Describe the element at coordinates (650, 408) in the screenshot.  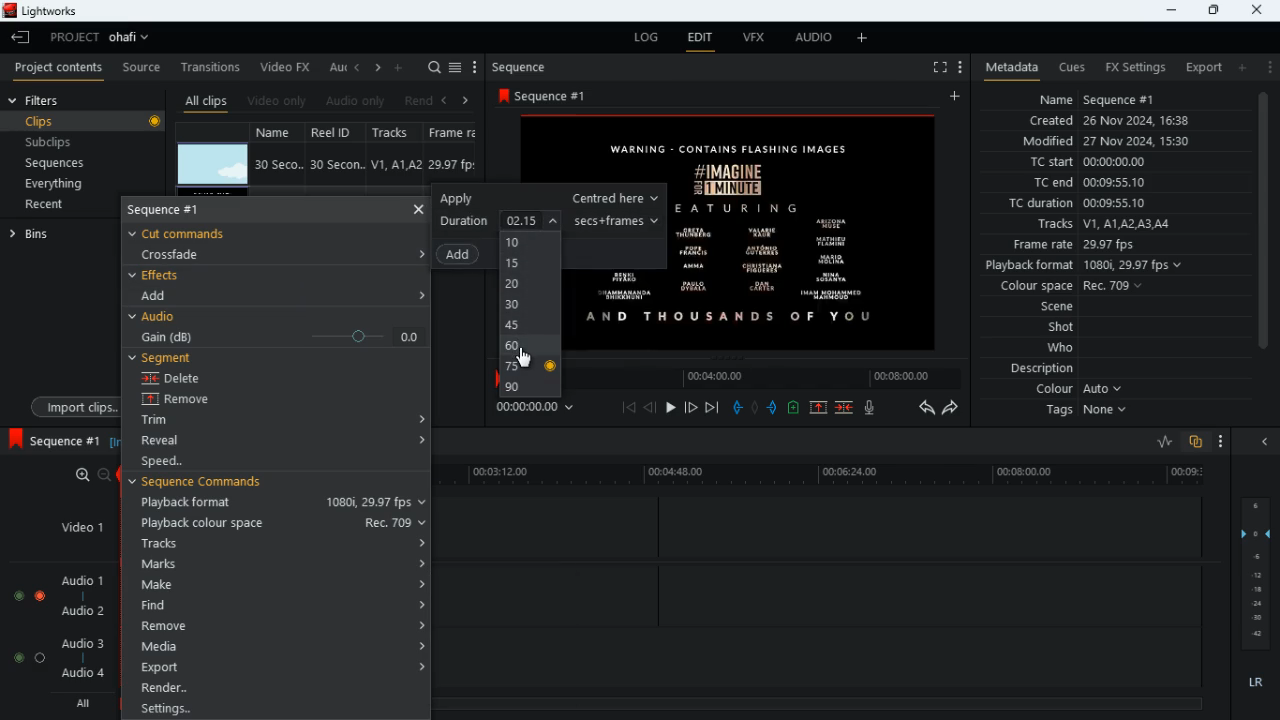
I see `back` at that location.